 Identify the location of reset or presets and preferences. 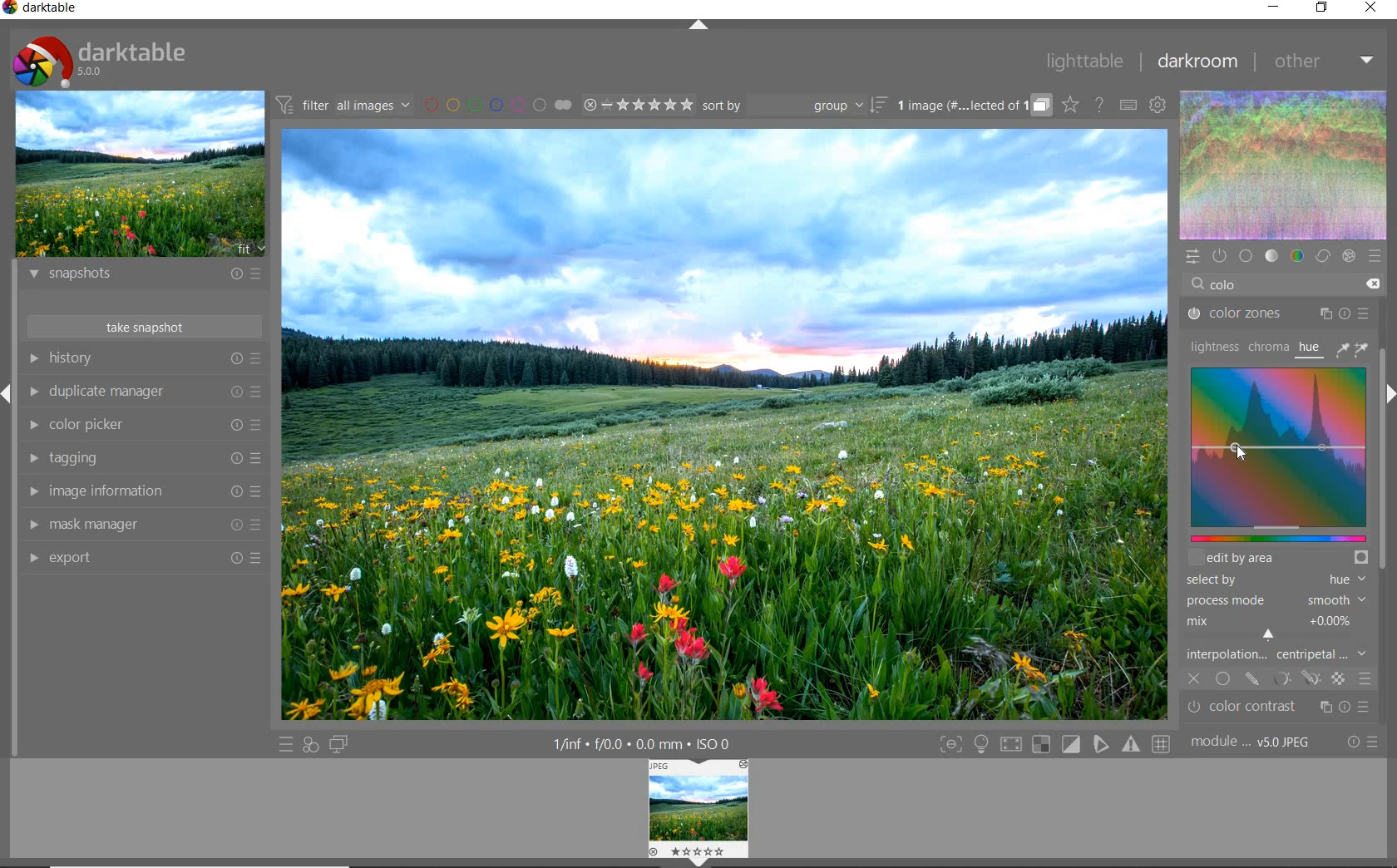
(1364, 742).